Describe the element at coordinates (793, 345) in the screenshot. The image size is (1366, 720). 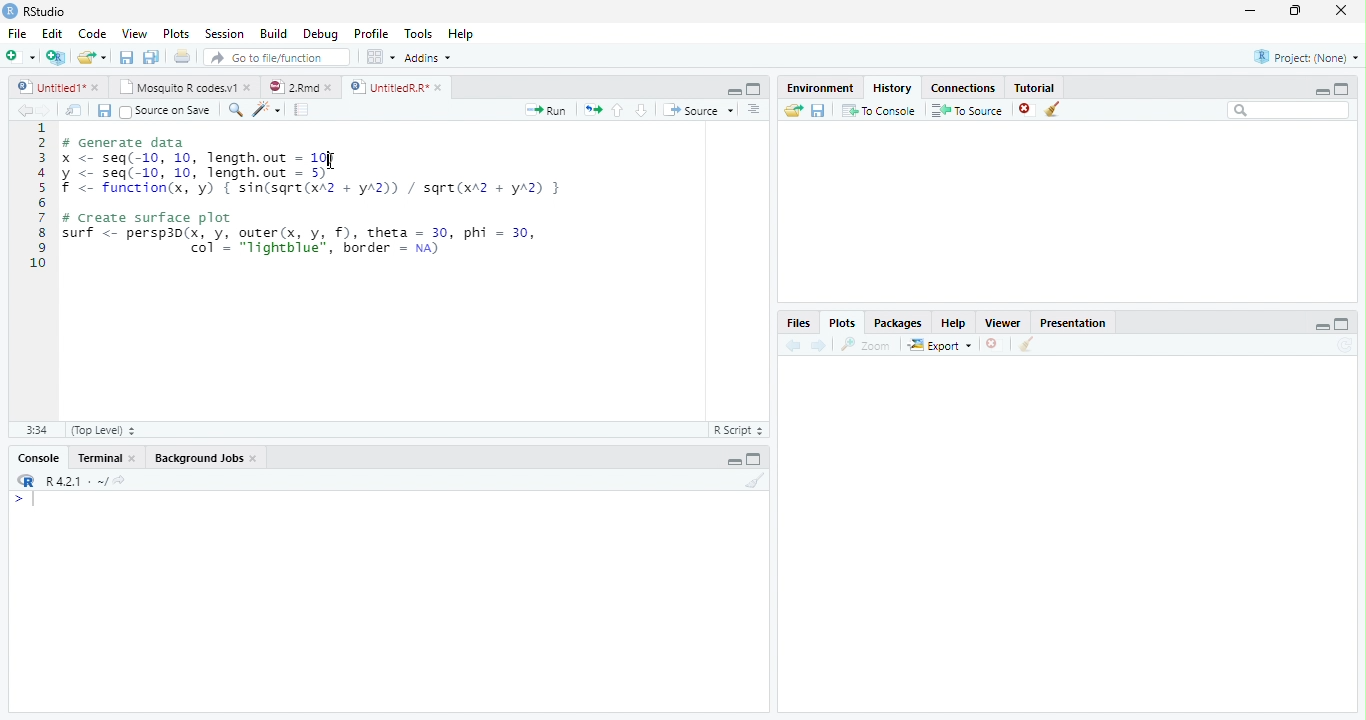
I see `Previous plot` at that location.